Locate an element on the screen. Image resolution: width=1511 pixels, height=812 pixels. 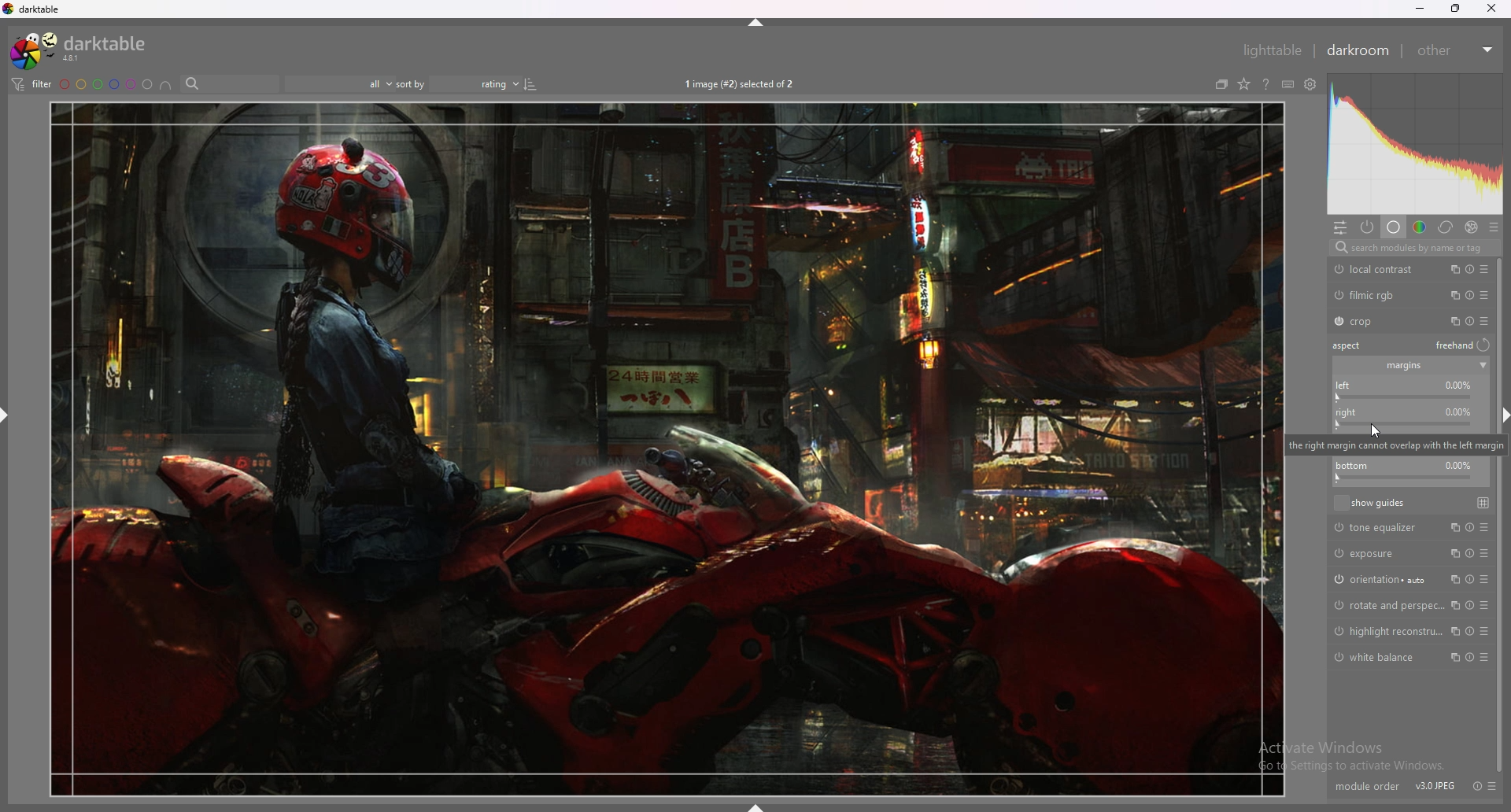
include color labels is located at coordinates (166, 84).